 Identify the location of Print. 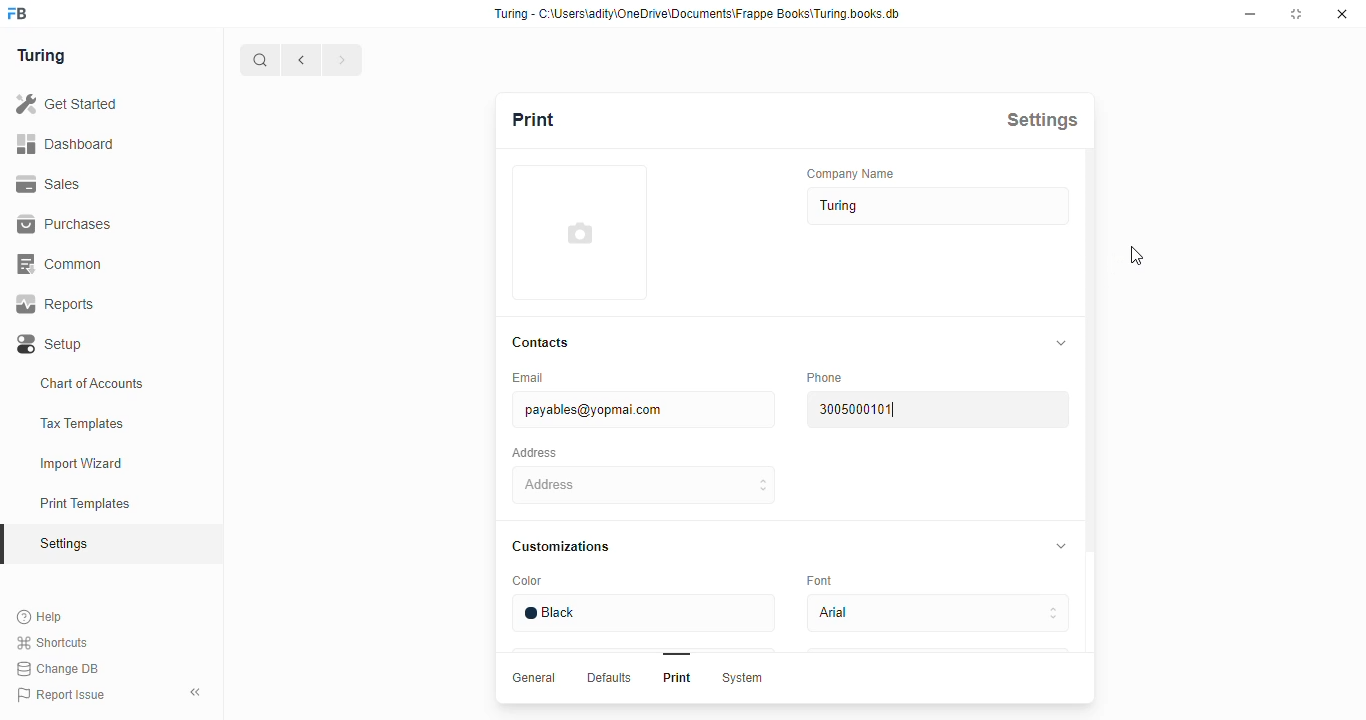
(552, 122).